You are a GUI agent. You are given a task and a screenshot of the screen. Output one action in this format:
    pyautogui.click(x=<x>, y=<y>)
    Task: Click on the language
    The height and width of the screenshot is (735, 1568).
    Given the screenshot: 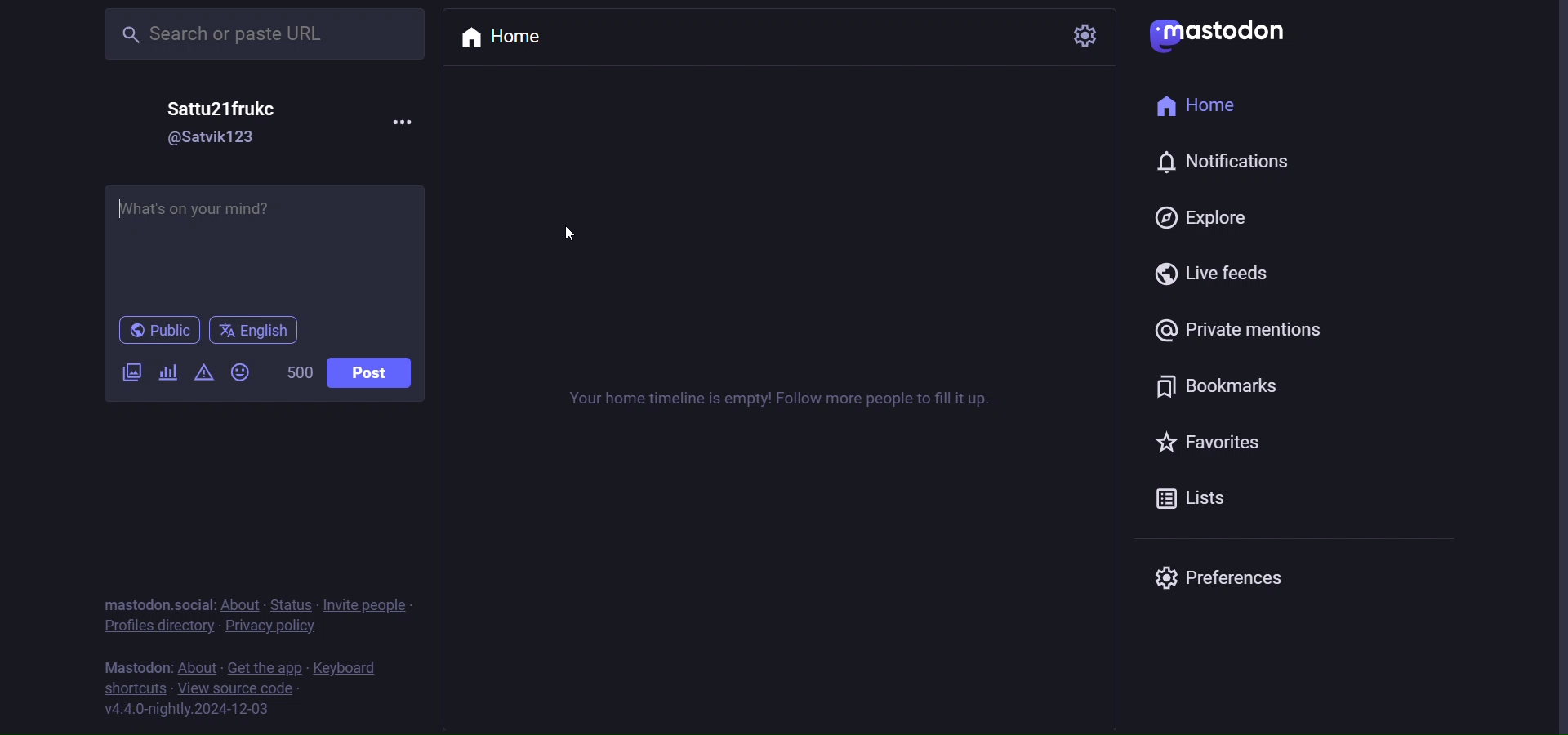 What is the action you would take?
    pyautogui.click(x=258, y=332)
    